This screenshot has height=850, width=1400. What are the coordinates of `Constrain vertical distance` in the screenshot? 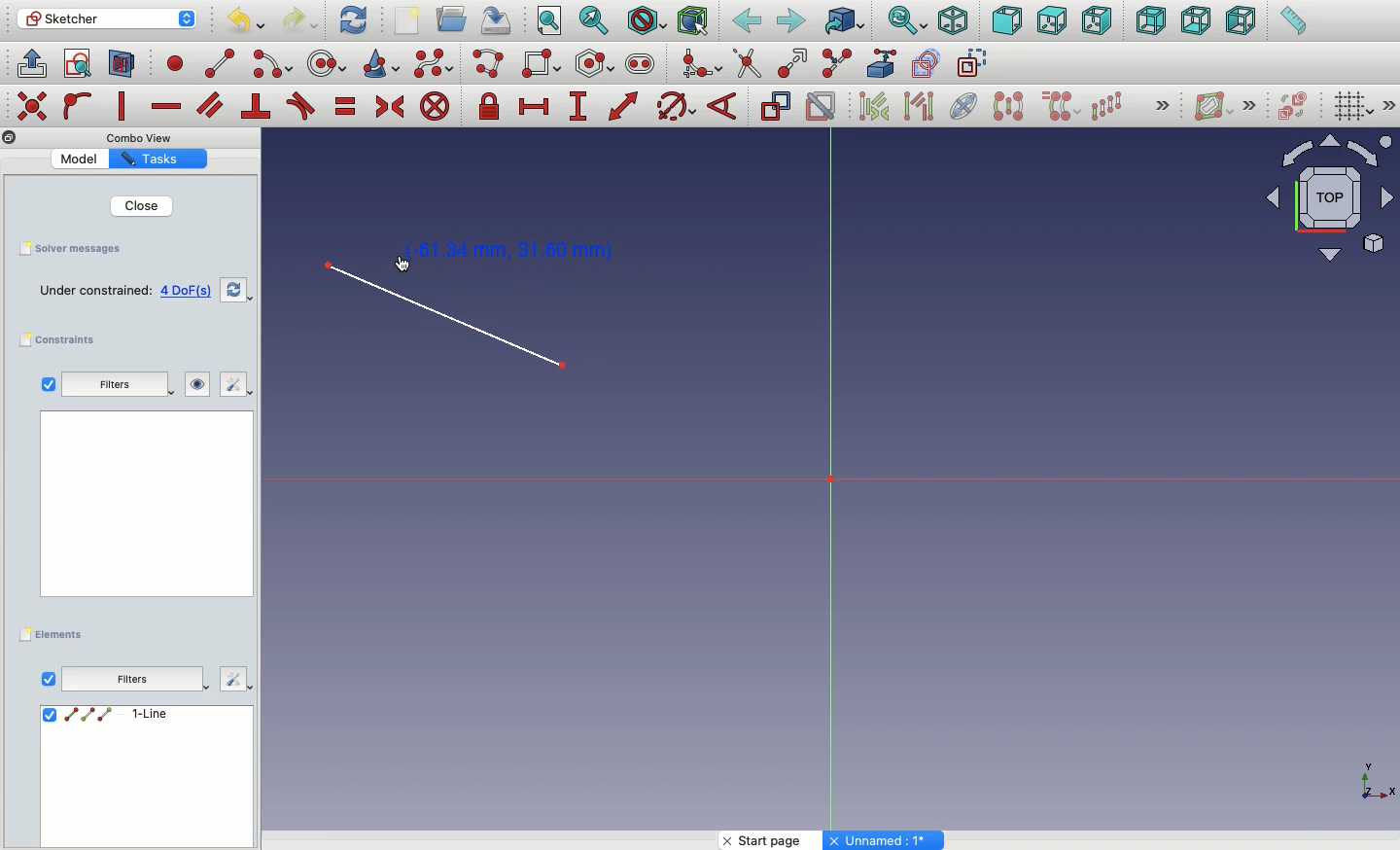 It's located at (581, 108).